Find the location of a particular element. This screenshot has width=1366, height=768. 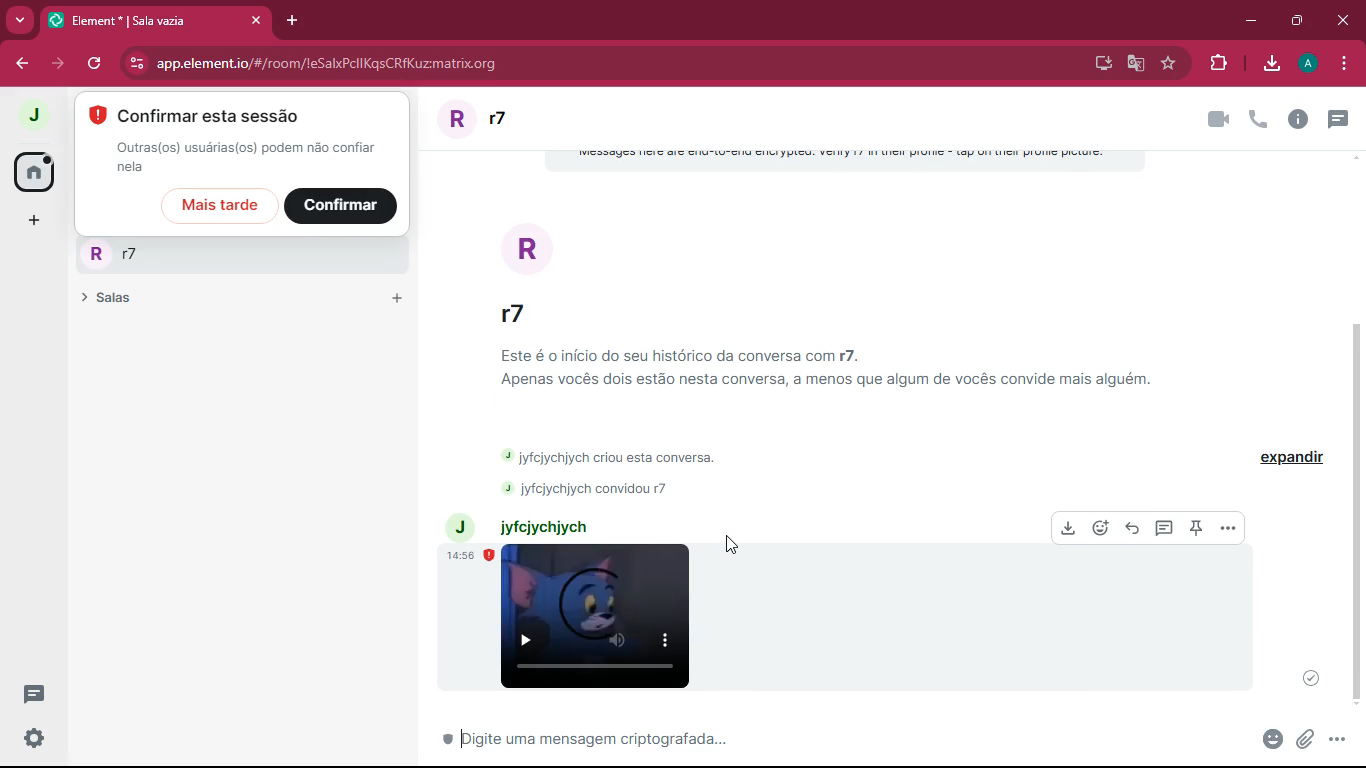

expandir is located at coordinates (1299, 456).